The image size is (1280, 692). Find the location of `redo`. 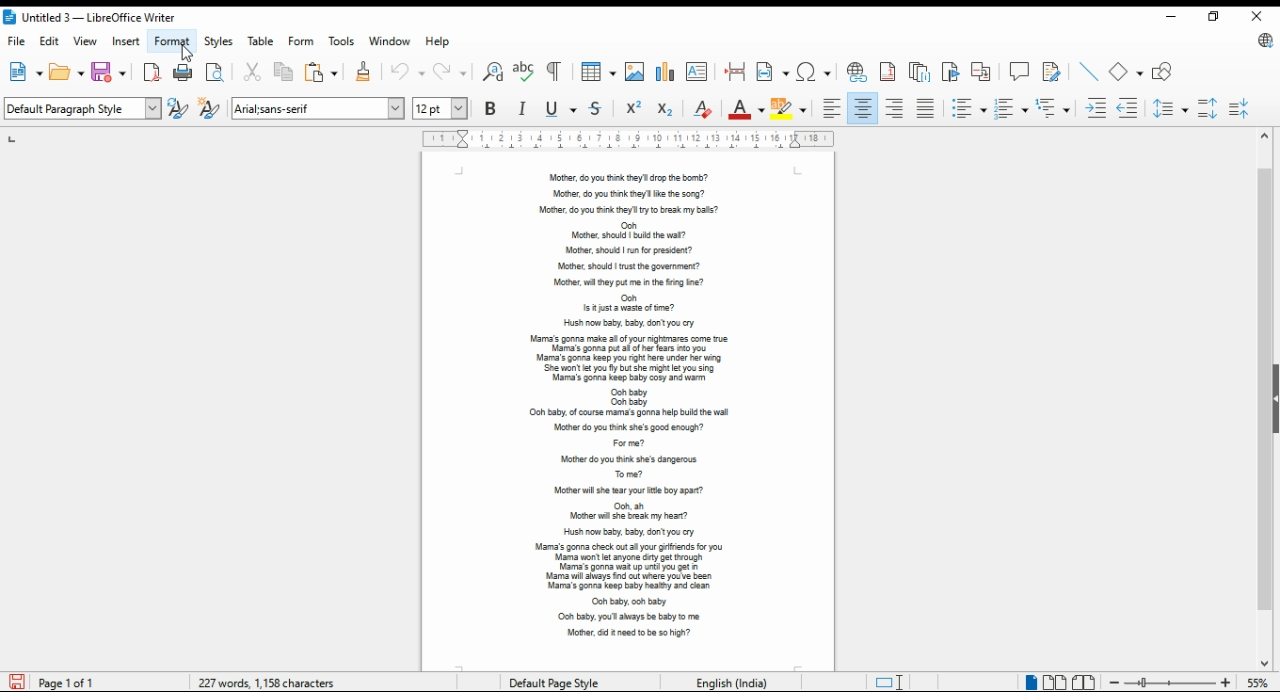

redo is located at coordinates (449, 71).